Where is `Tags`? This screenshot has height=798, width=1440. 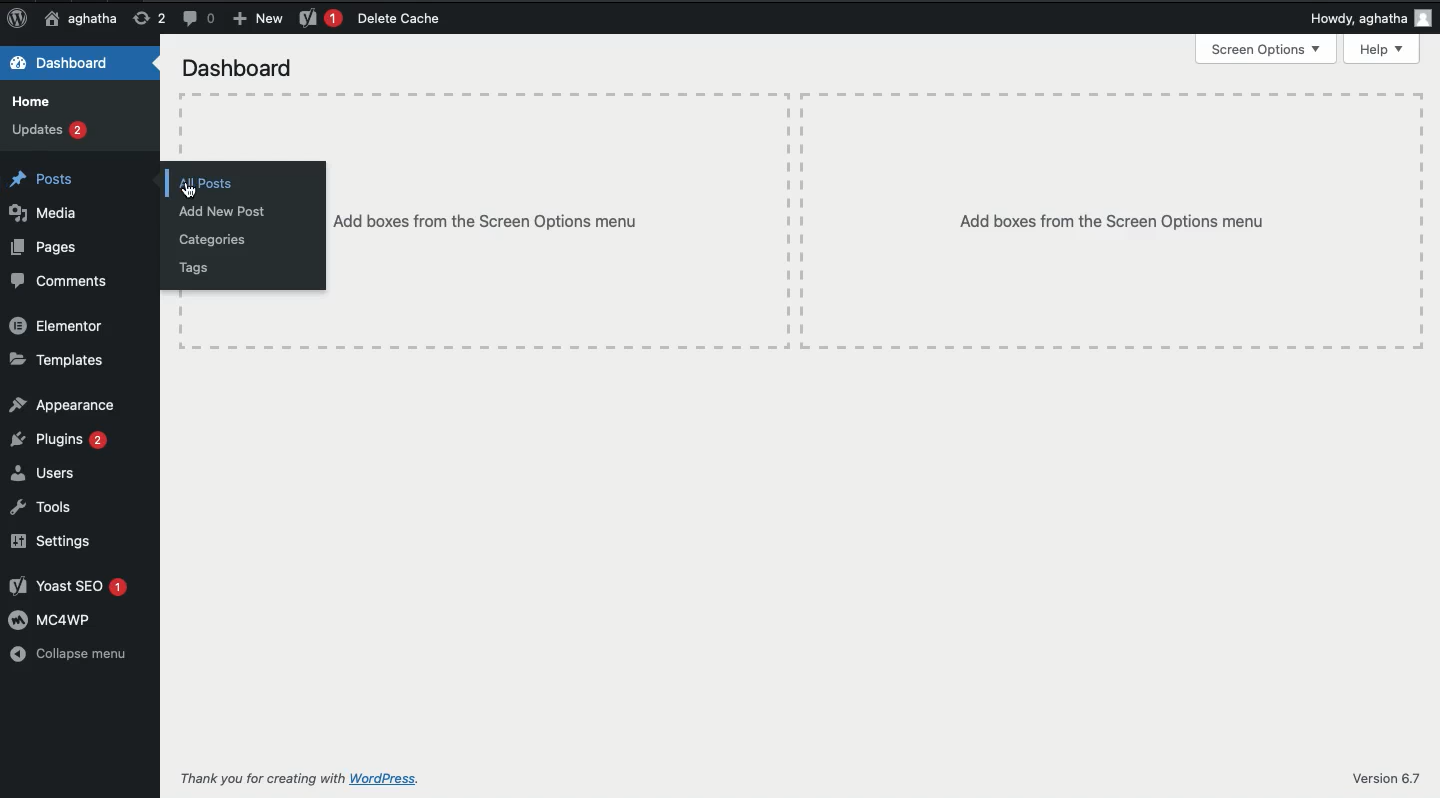 Tags is located at coordinates (196, 266).